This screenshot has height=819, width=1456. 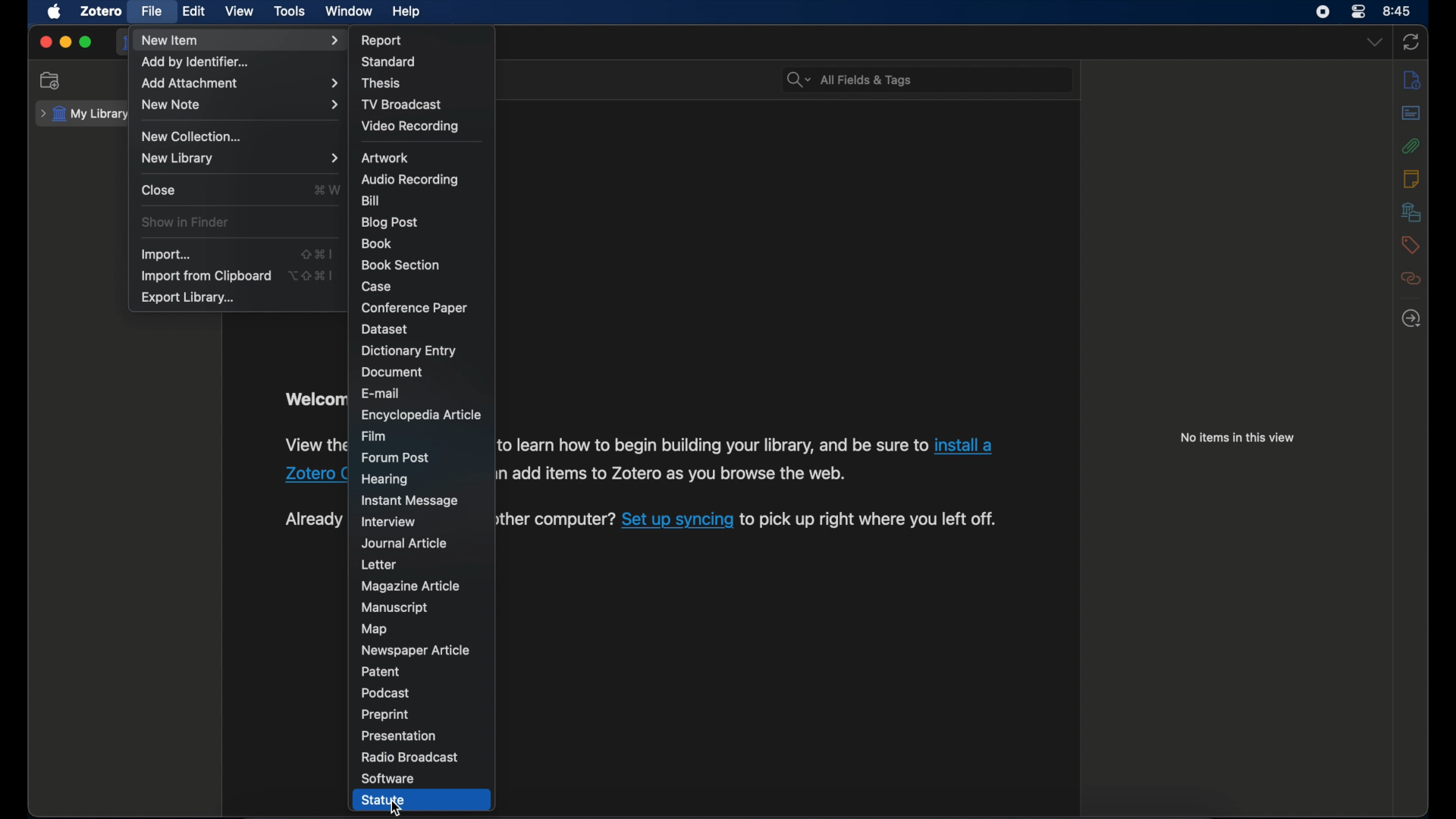 What do you see at coordinates (409, 351) in the screenshot?
I see `dictionary entry` at bounding box center [409, 351].